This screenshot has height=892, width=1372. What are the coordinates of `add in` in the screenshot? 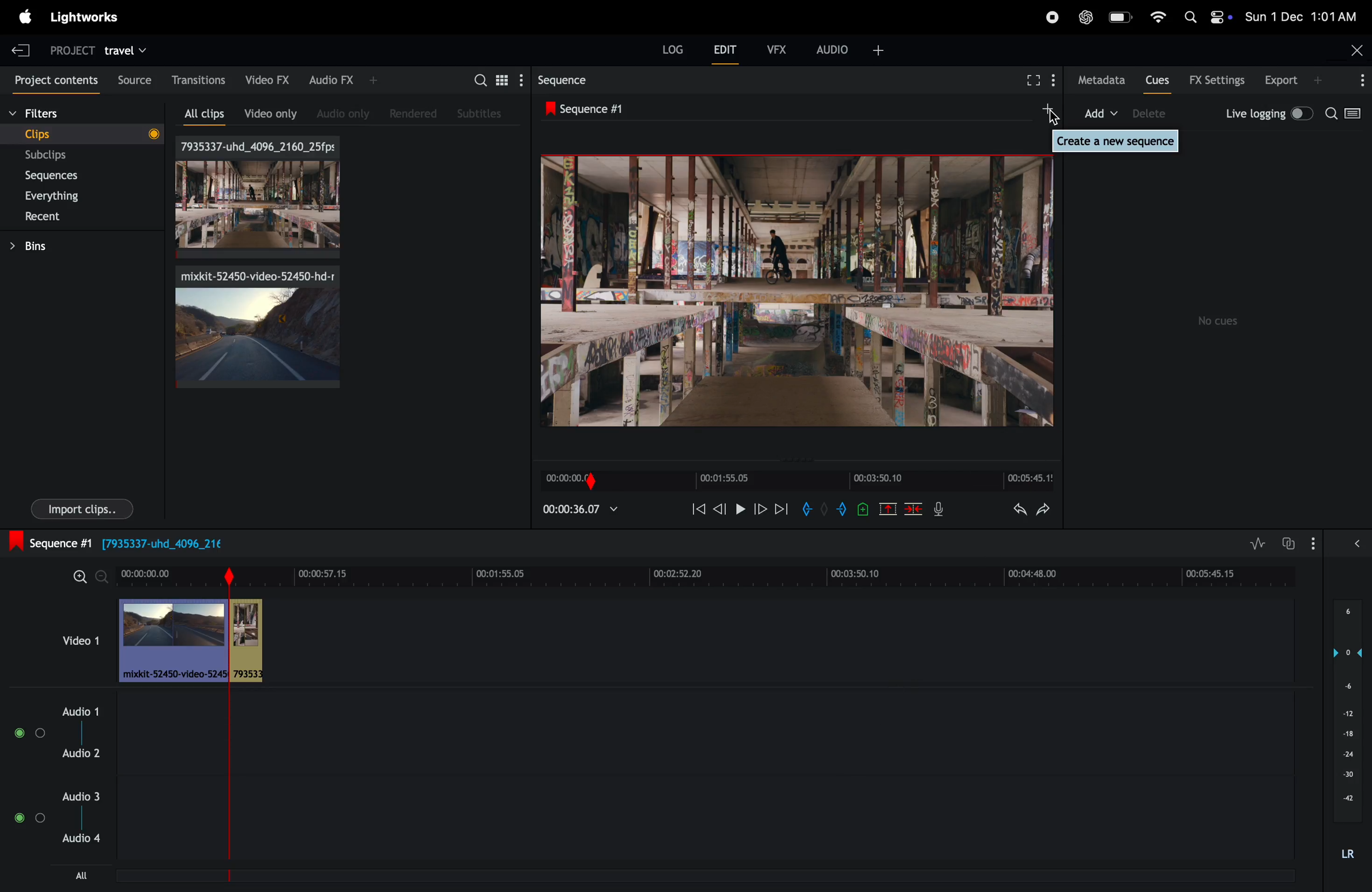 It's located at (810, 511).